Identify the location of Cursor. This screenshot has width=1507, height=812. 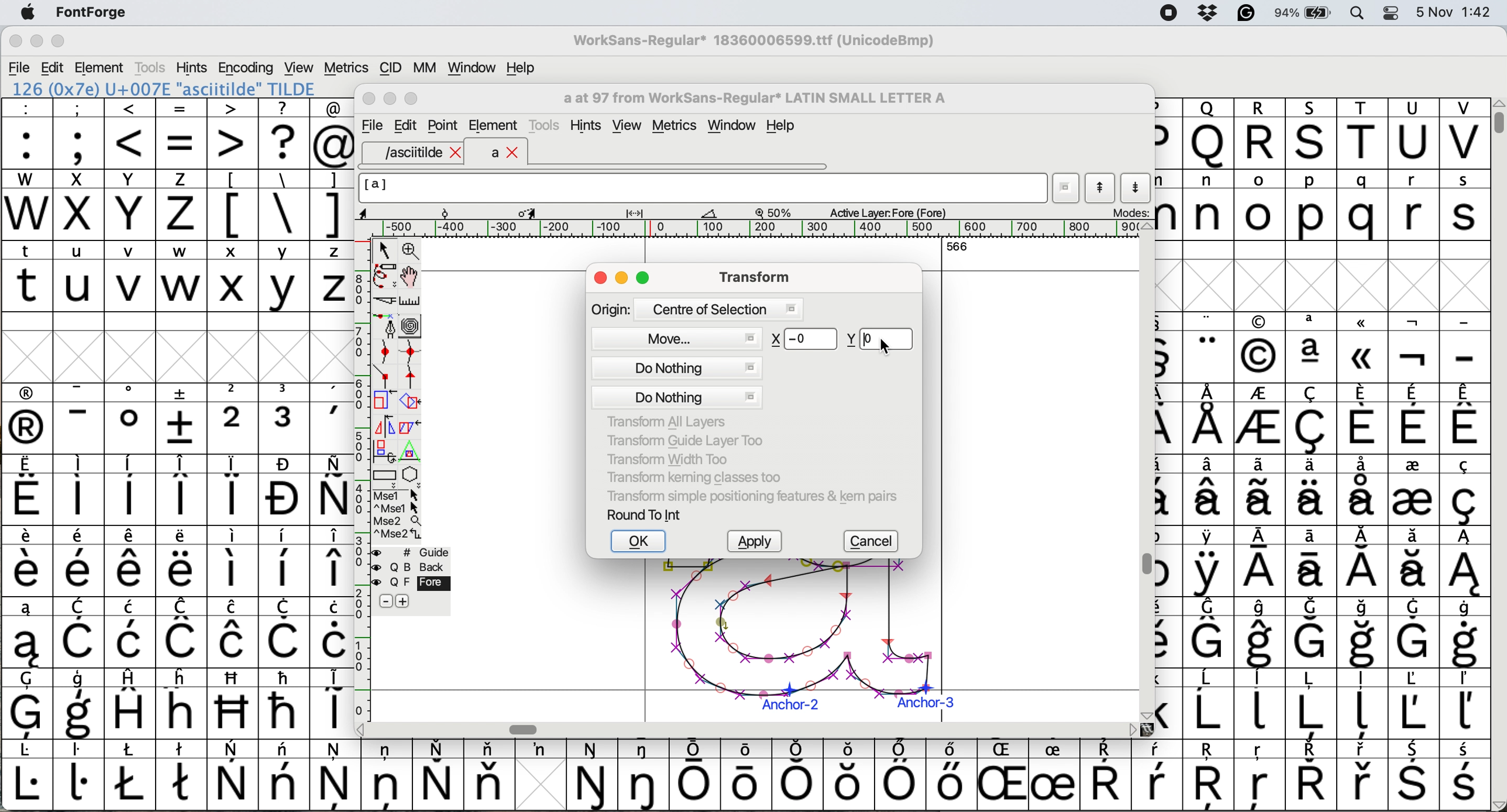
(884, 347).